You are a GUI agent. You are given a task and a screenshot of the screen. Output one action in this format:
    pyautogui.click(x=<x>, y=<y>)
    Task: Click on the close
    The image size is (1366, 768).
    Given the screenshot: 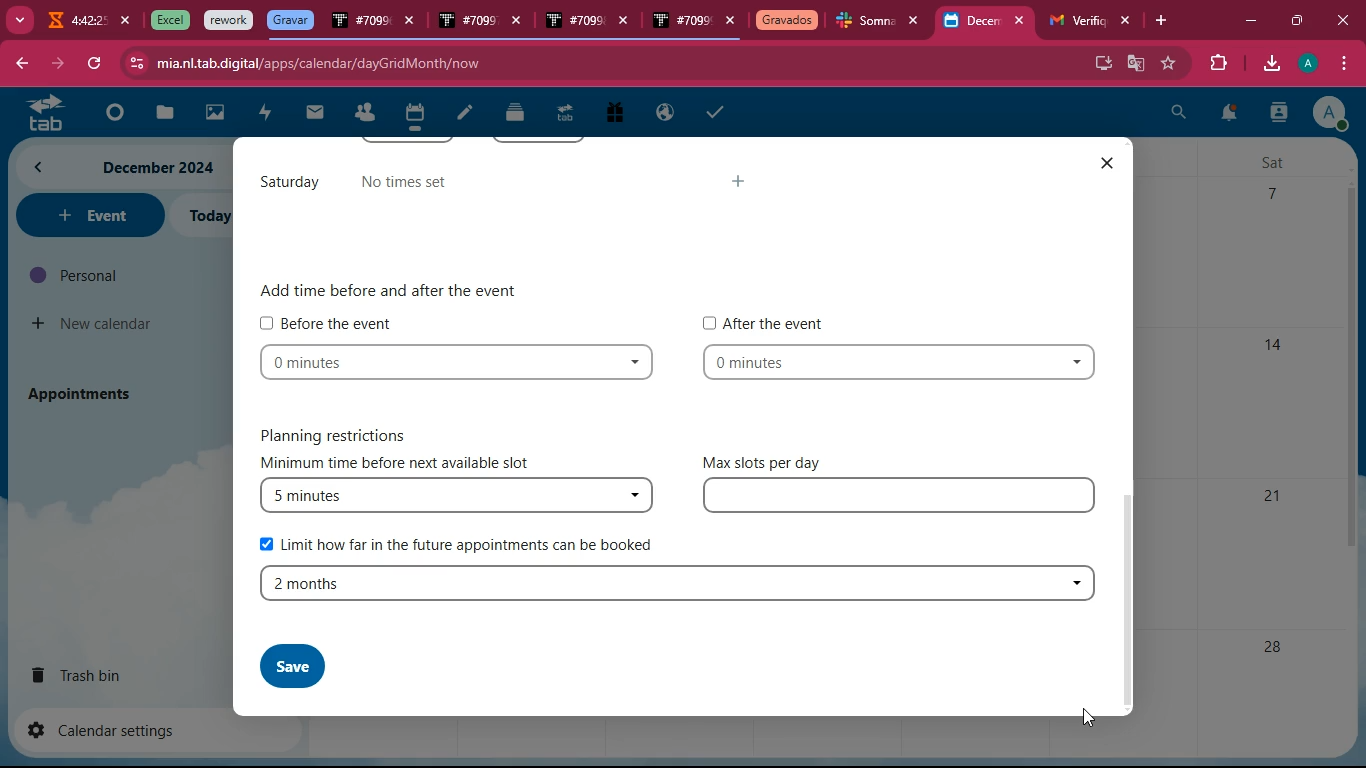 What is the action you would take?
    pyautogui.click(x=1024, y=21)
    